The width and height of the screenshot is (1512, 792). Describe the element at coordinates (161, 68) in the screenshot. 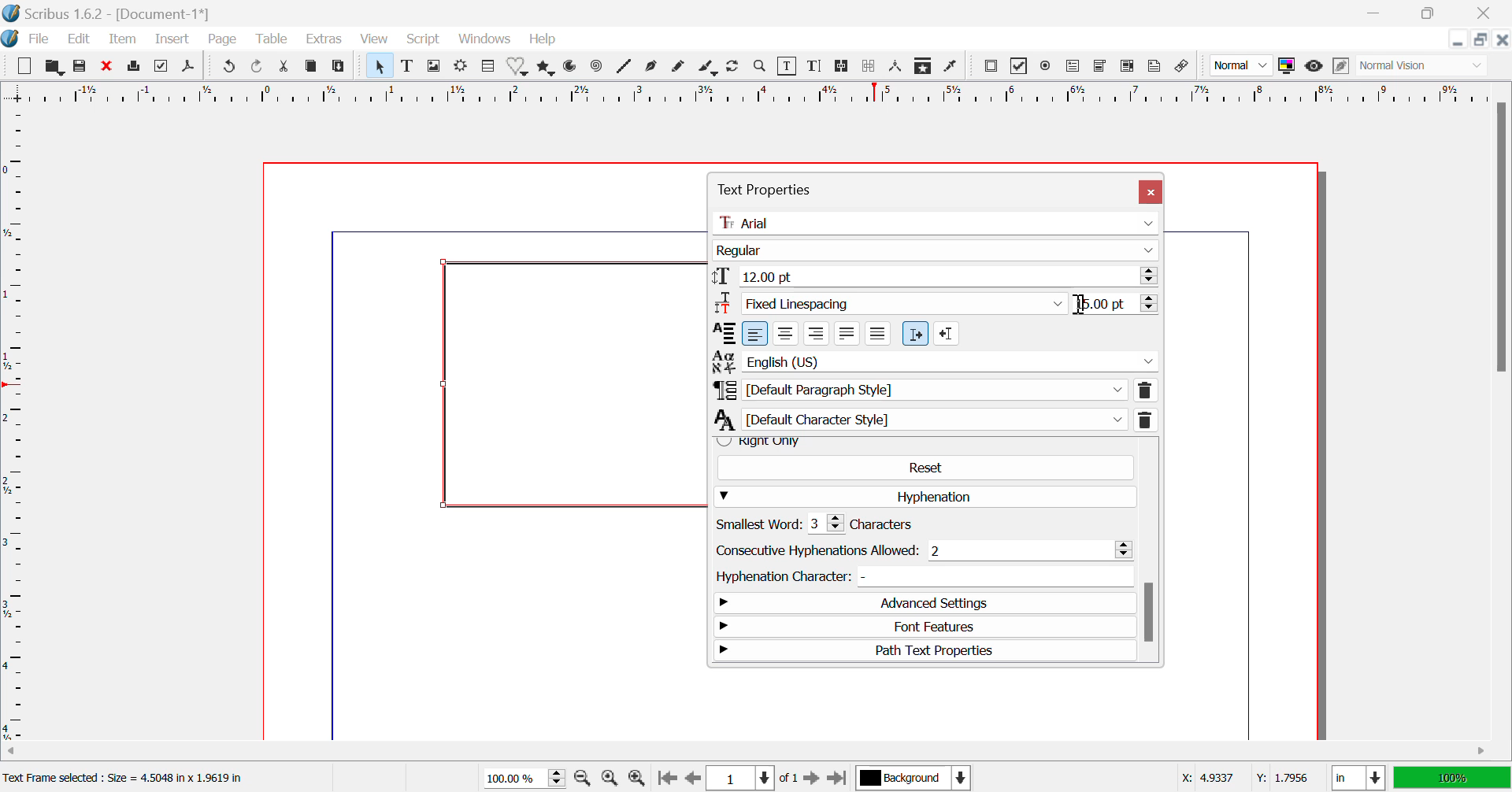

I see `Preflight Verifier` at that location.